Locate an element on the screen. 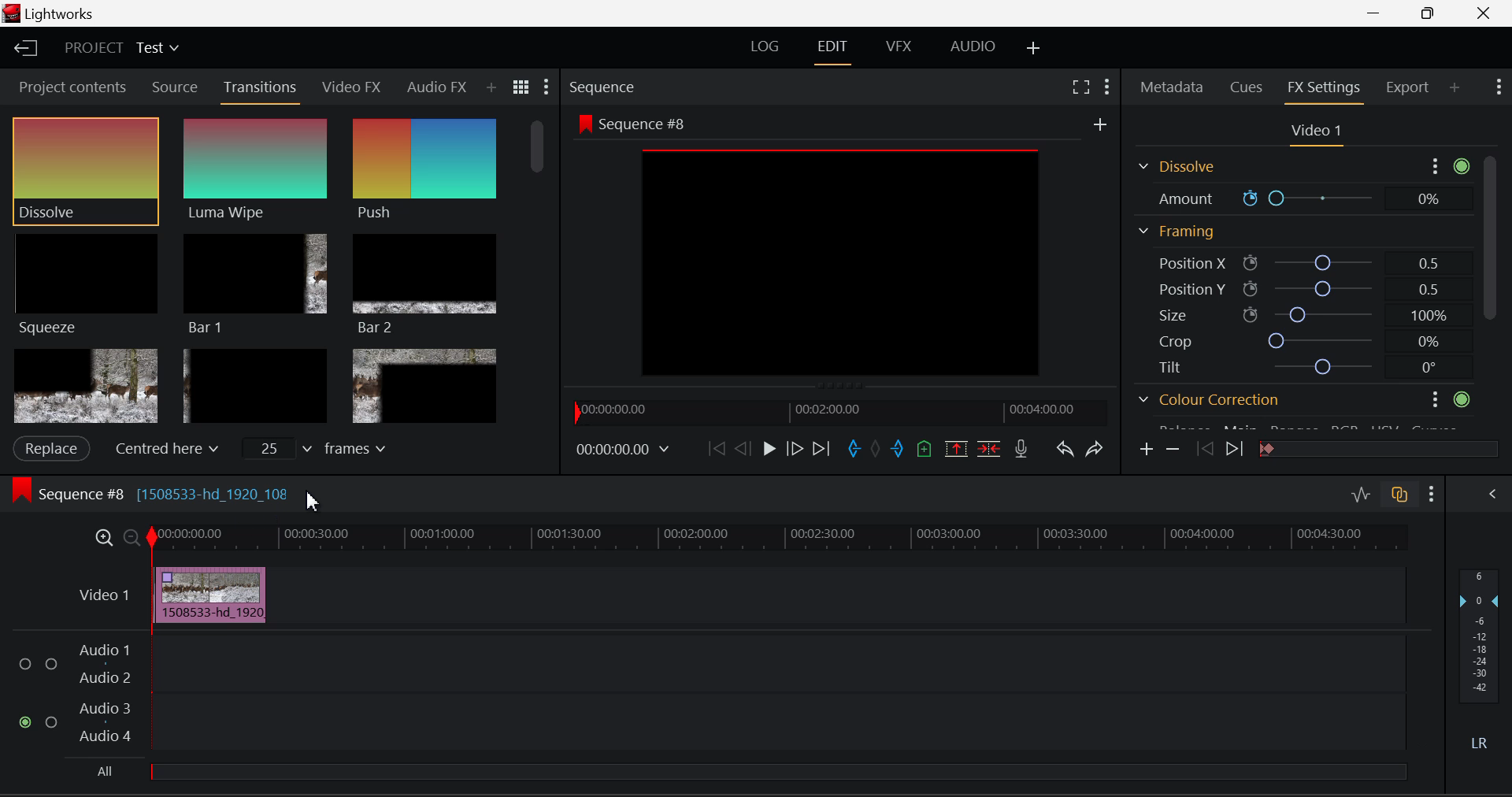 The image size is (1512, 797). Toggle between title and list view is located at coordinates (521, 85).